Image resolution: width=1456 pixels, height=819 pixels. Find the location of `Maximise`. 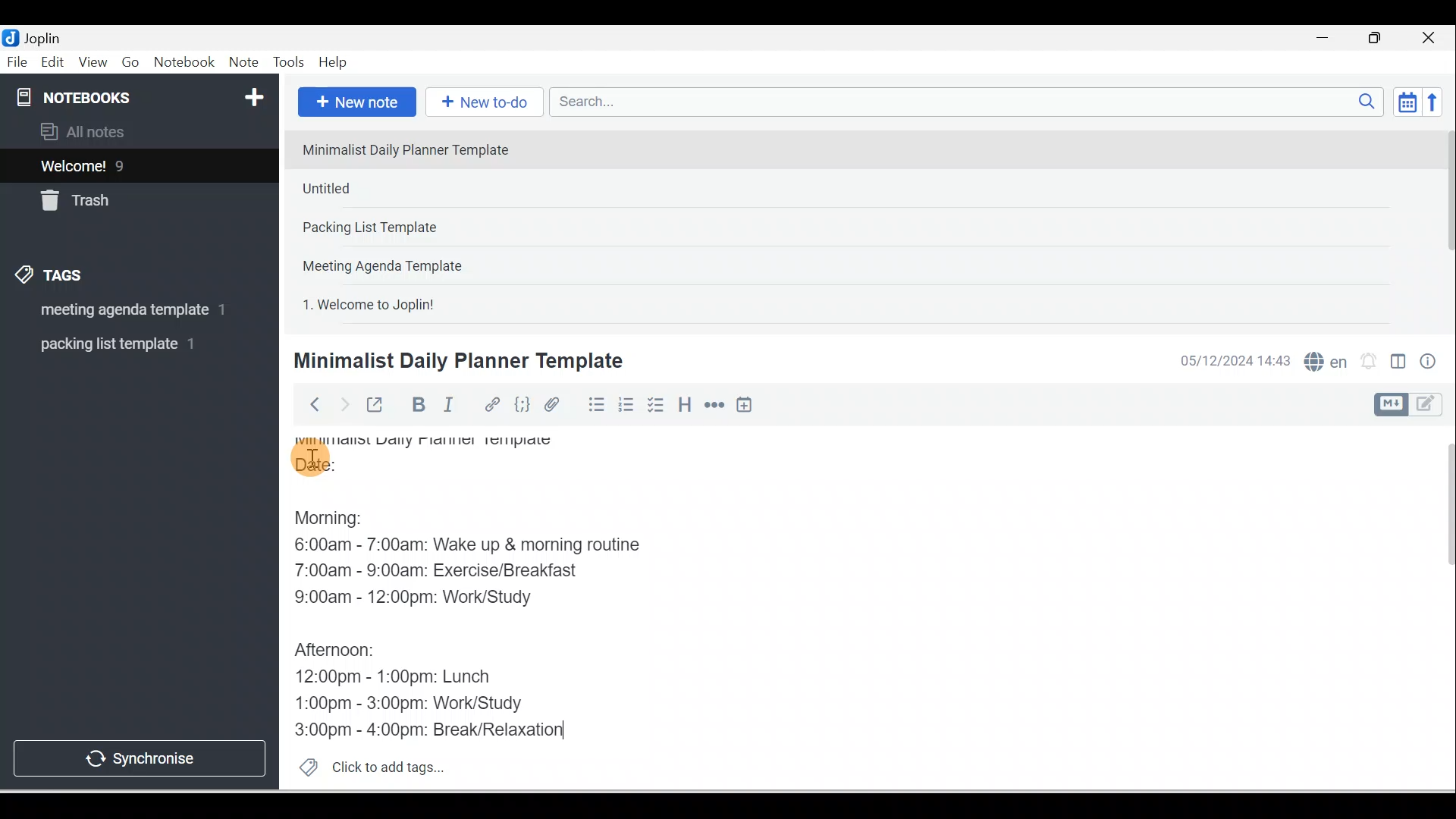

Maximise is located at coordinates (1380, 39).